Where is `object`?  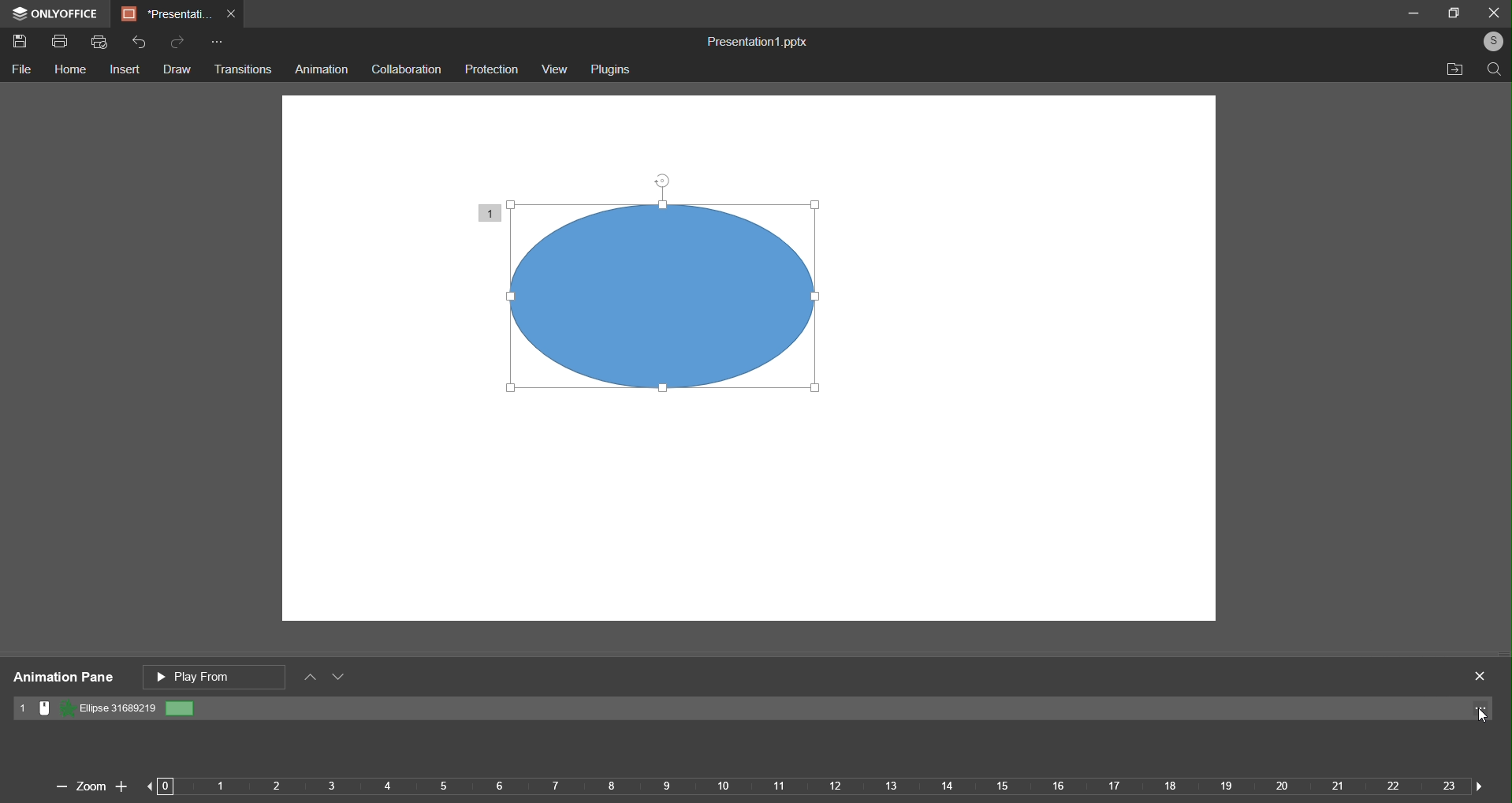
object is located at coordinates (687, 308).